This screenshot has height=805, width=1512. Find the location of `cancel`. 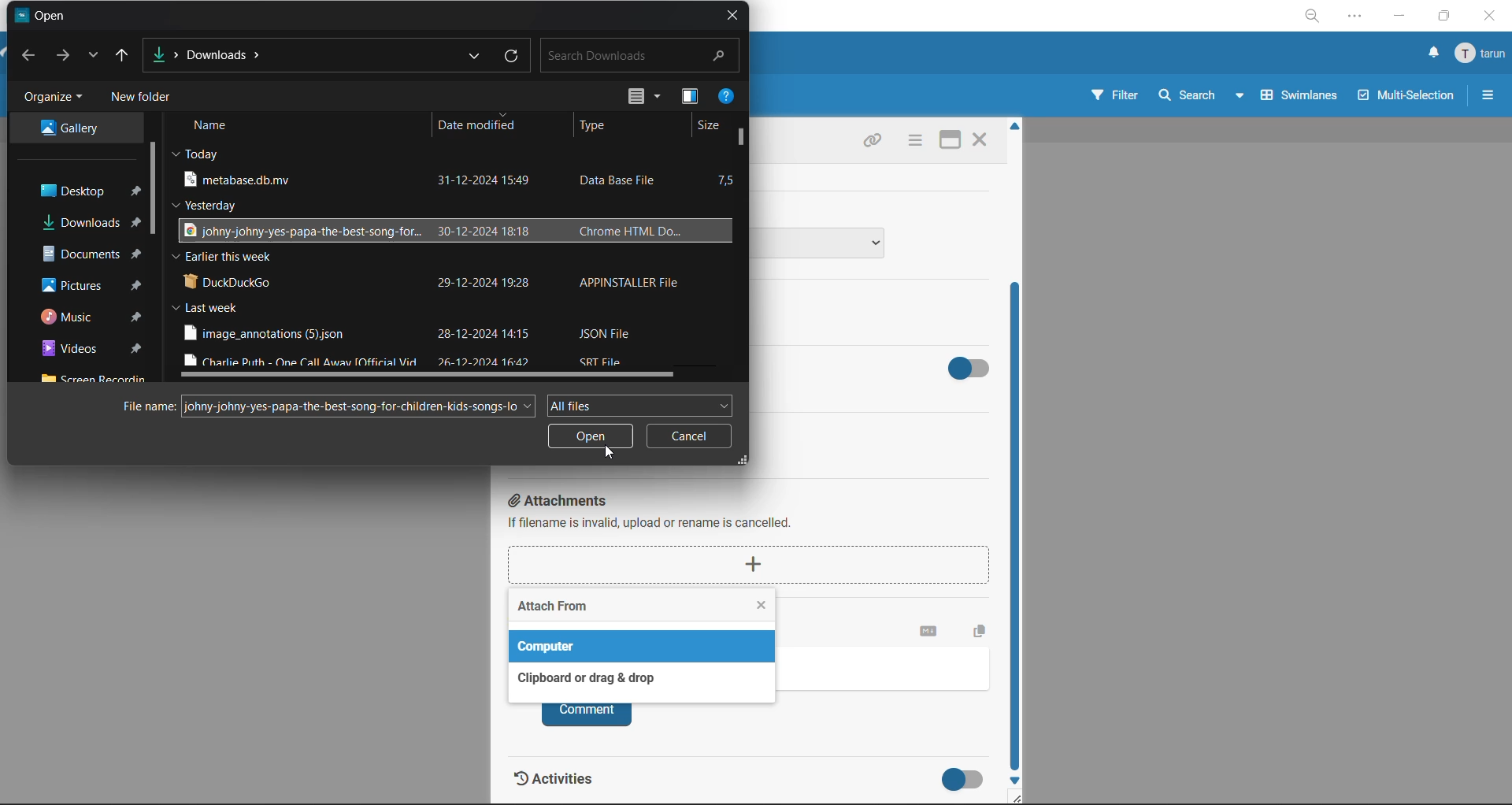

cancel is located at coordinates (689, 440).